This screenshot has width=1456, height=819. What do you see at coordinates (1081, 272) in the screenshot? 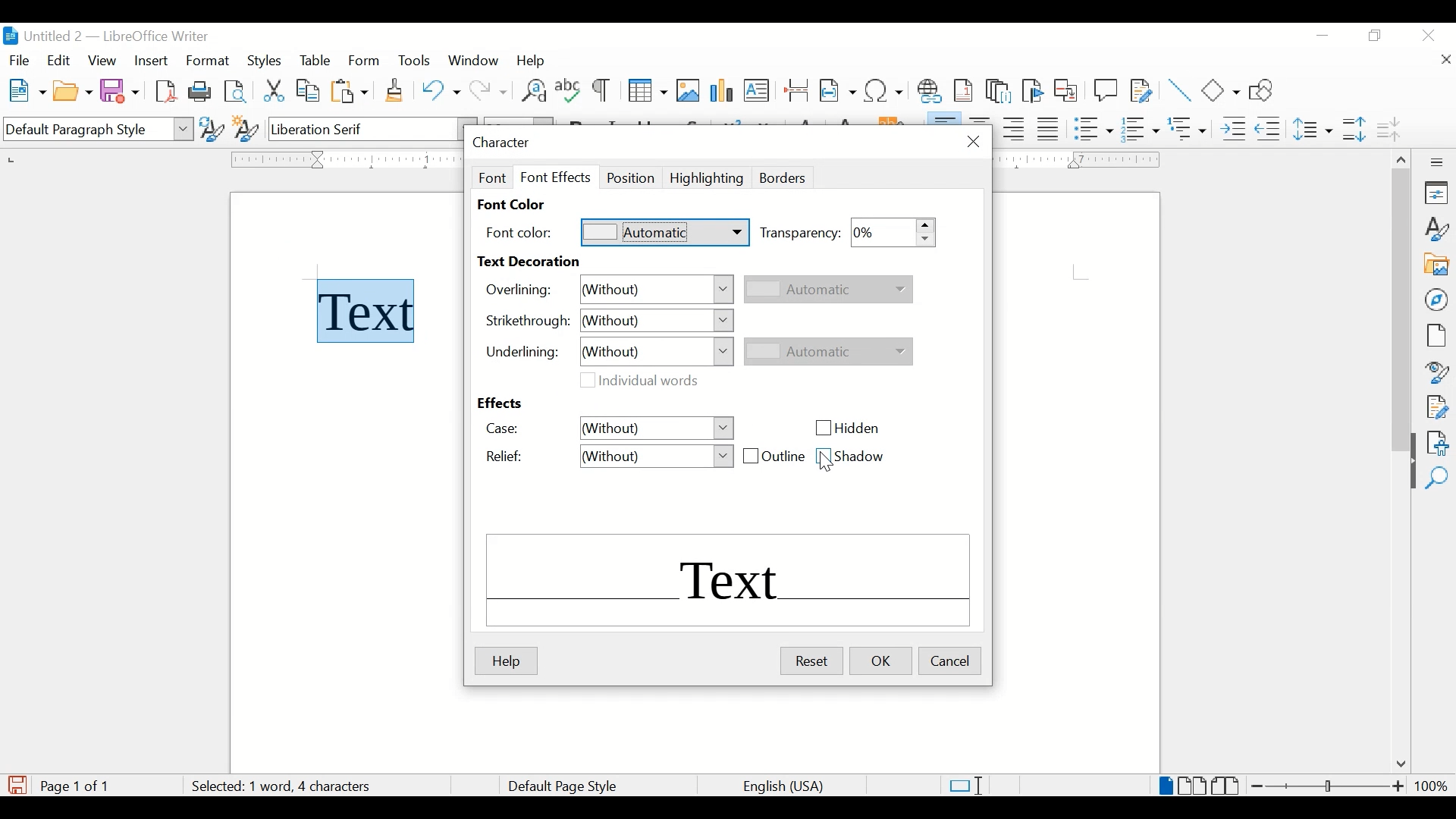
I see `guides` at bounding box center [1081, 272].